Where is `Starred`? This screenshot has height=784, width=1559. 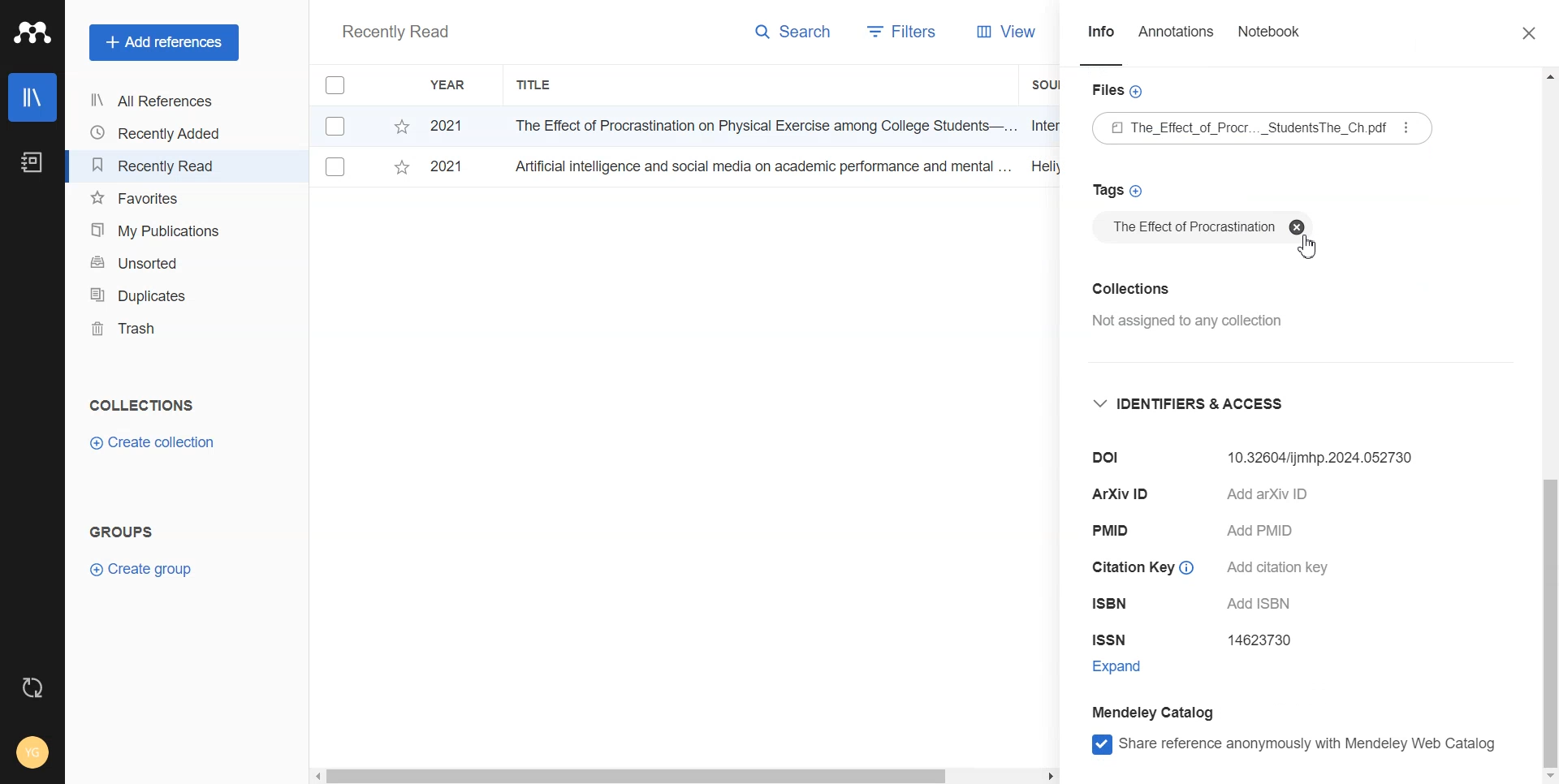
Starred is located at coordinates (401, 127).